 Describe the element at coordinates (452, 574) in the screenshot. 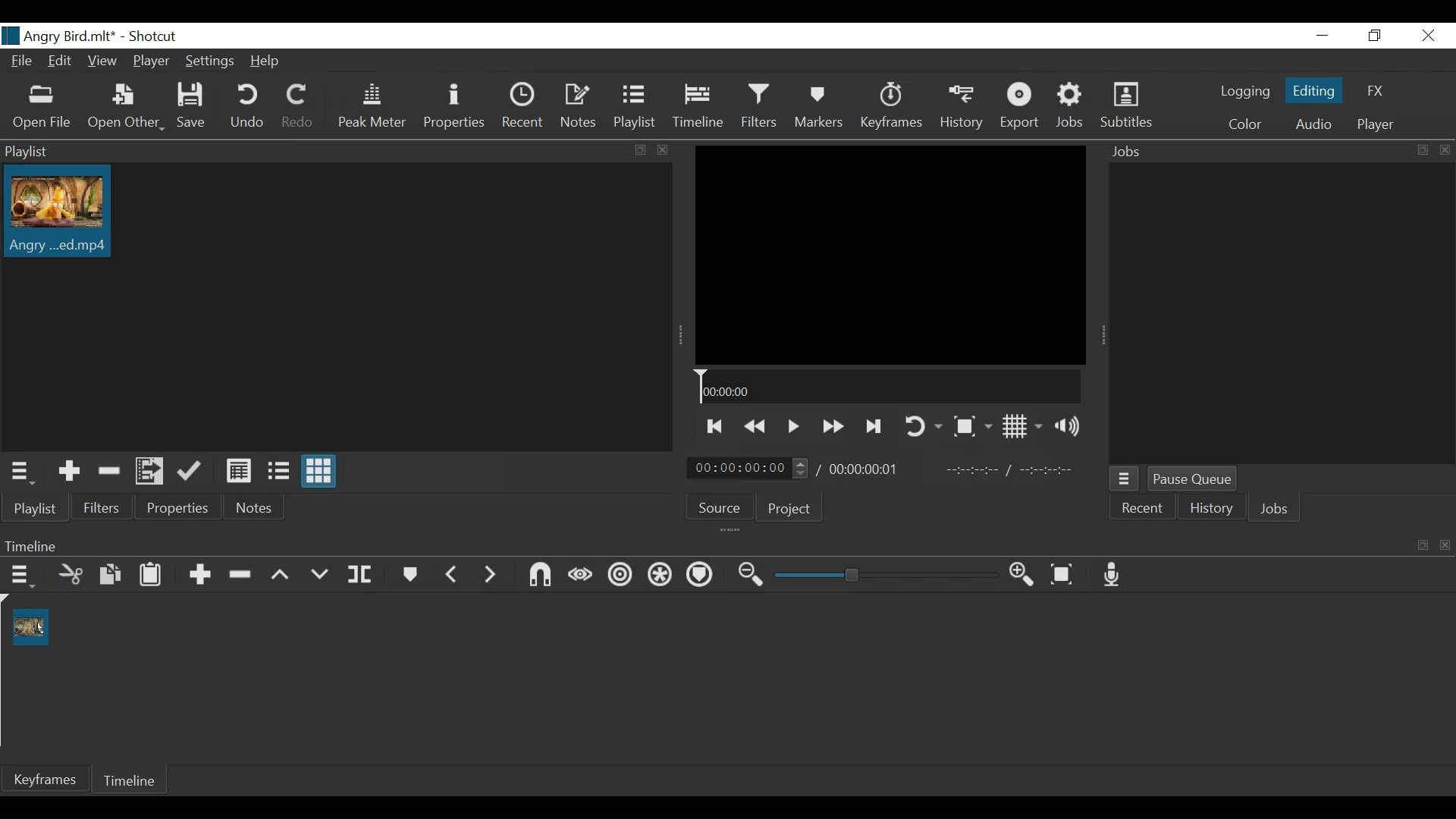

I see `Previous marker` at that location.